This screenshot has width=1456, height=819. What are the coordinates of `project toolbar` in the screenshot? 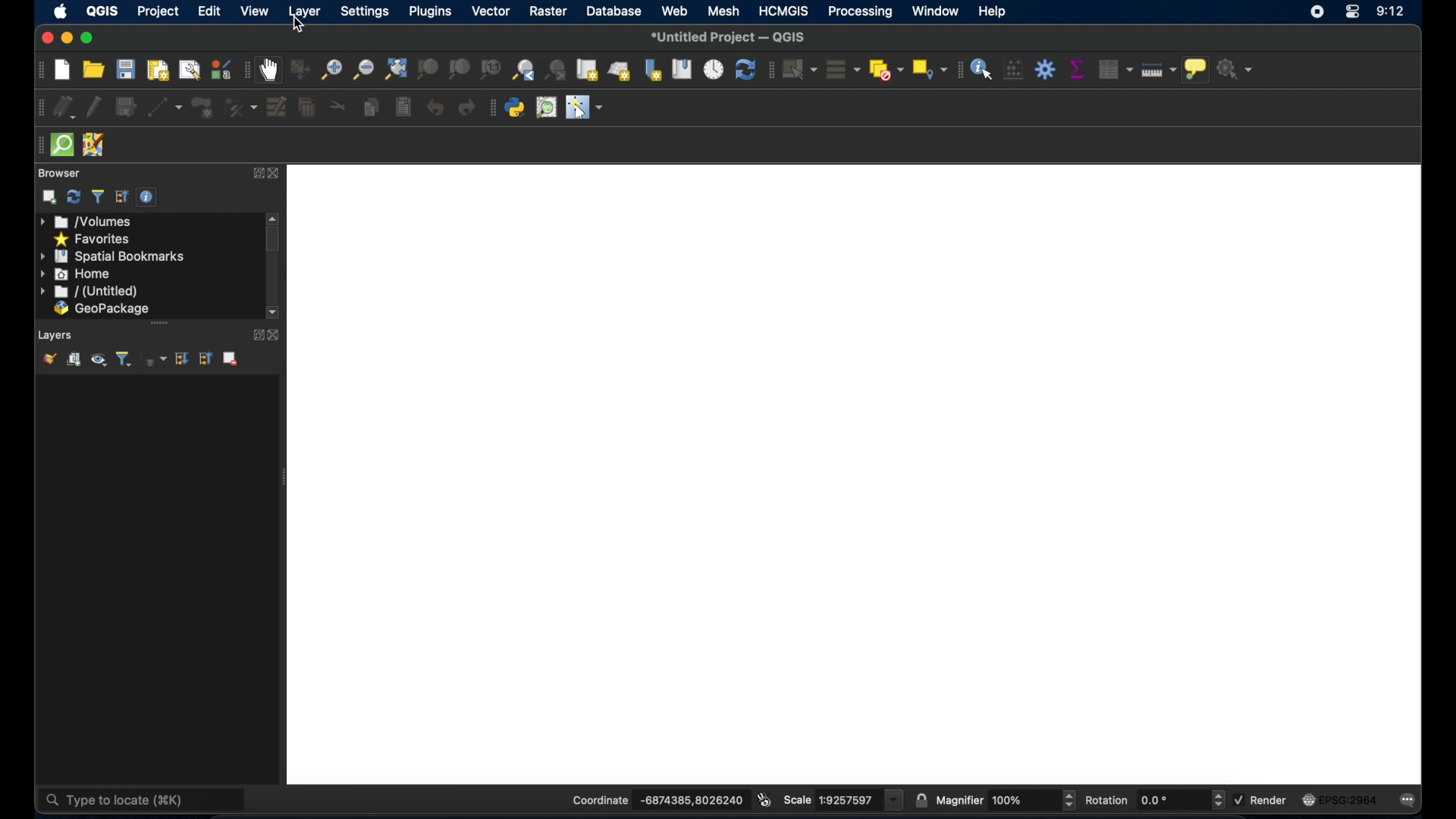 It's located at (35, 71).